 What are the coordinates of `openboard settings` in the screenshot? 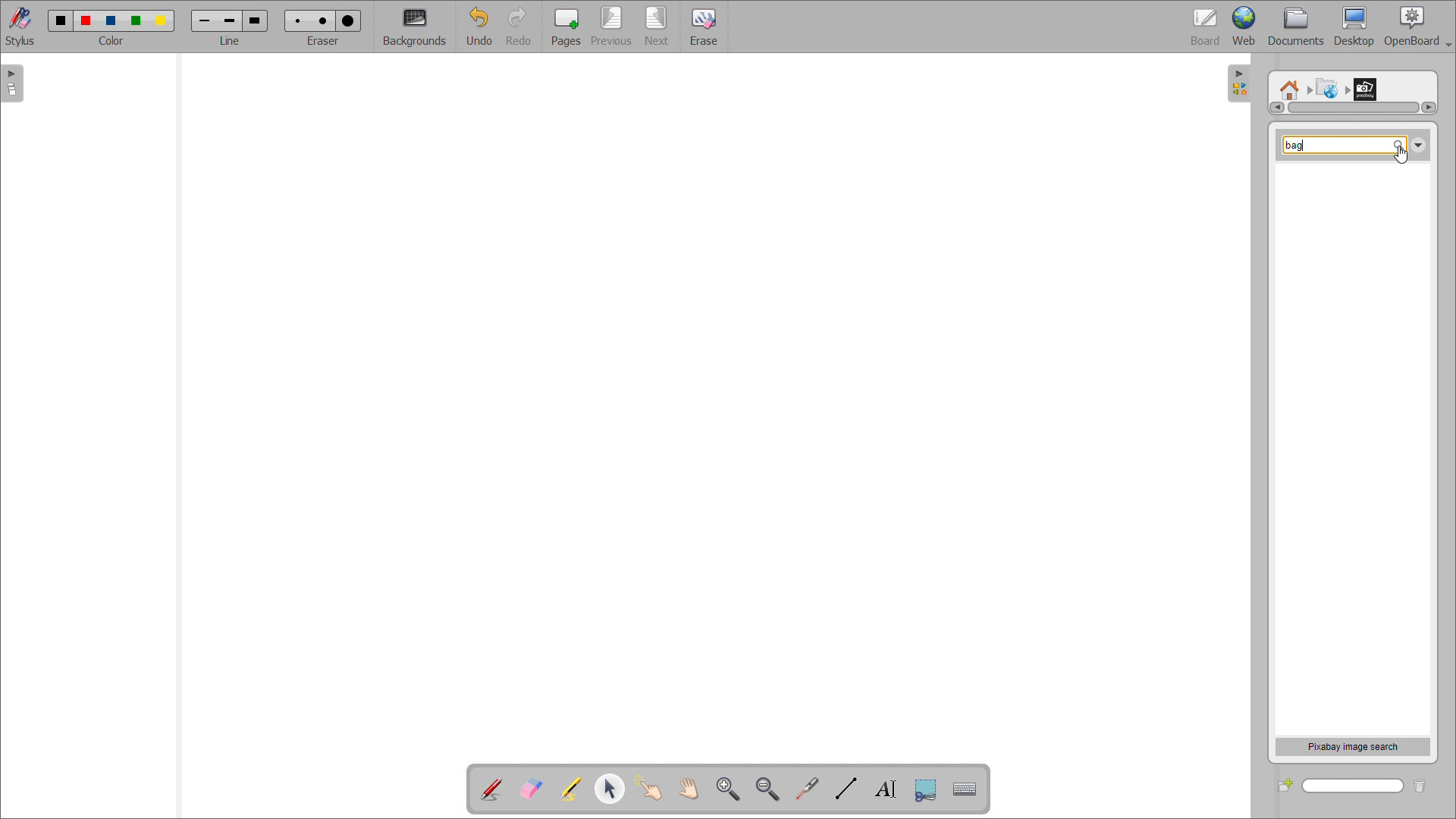 It's located at (1417, 27).